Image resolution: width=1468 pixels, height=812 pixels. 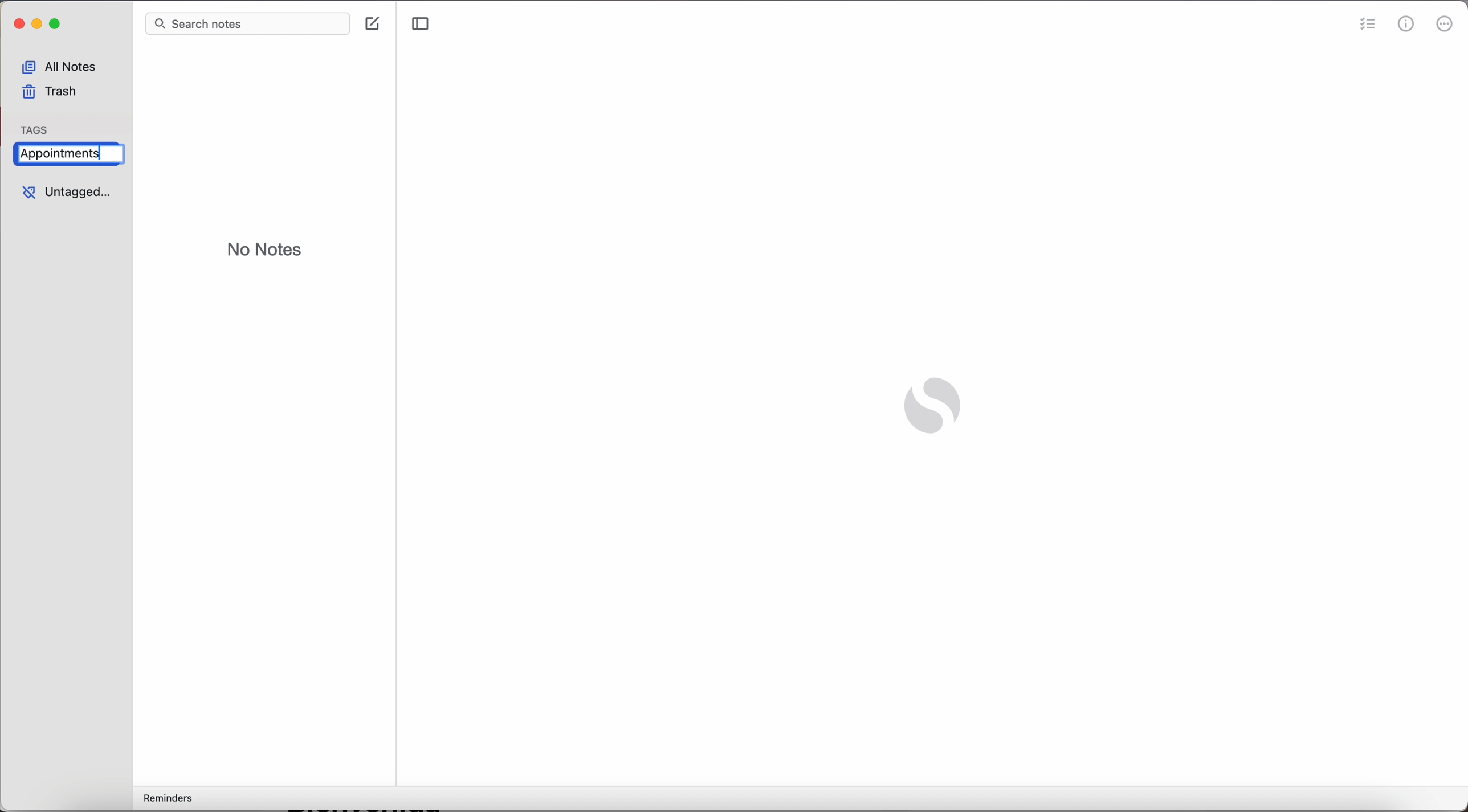 What do you see at coordinates (17, 26) in the screenshot?
I see `close simplenote` at bounding box center [17, 26].